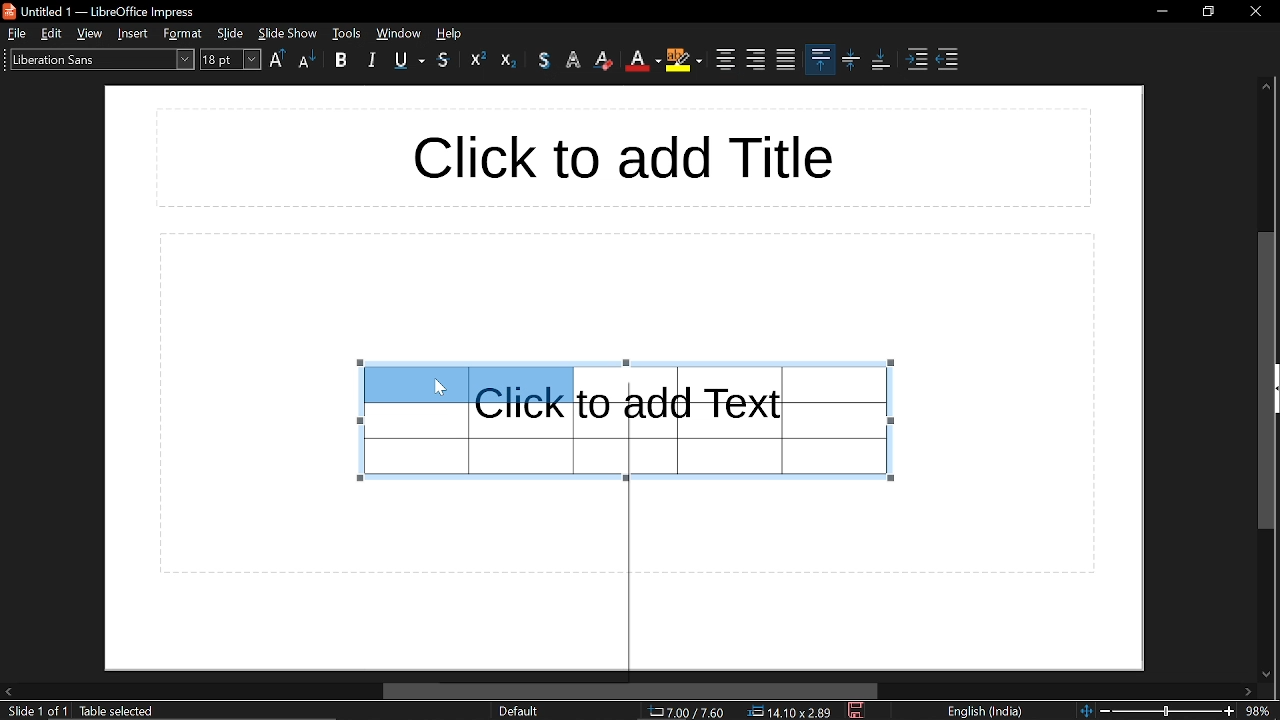 This screenshot has height=720, width=1280. I want to click on cursor co-ordinate, so click(686, 712).